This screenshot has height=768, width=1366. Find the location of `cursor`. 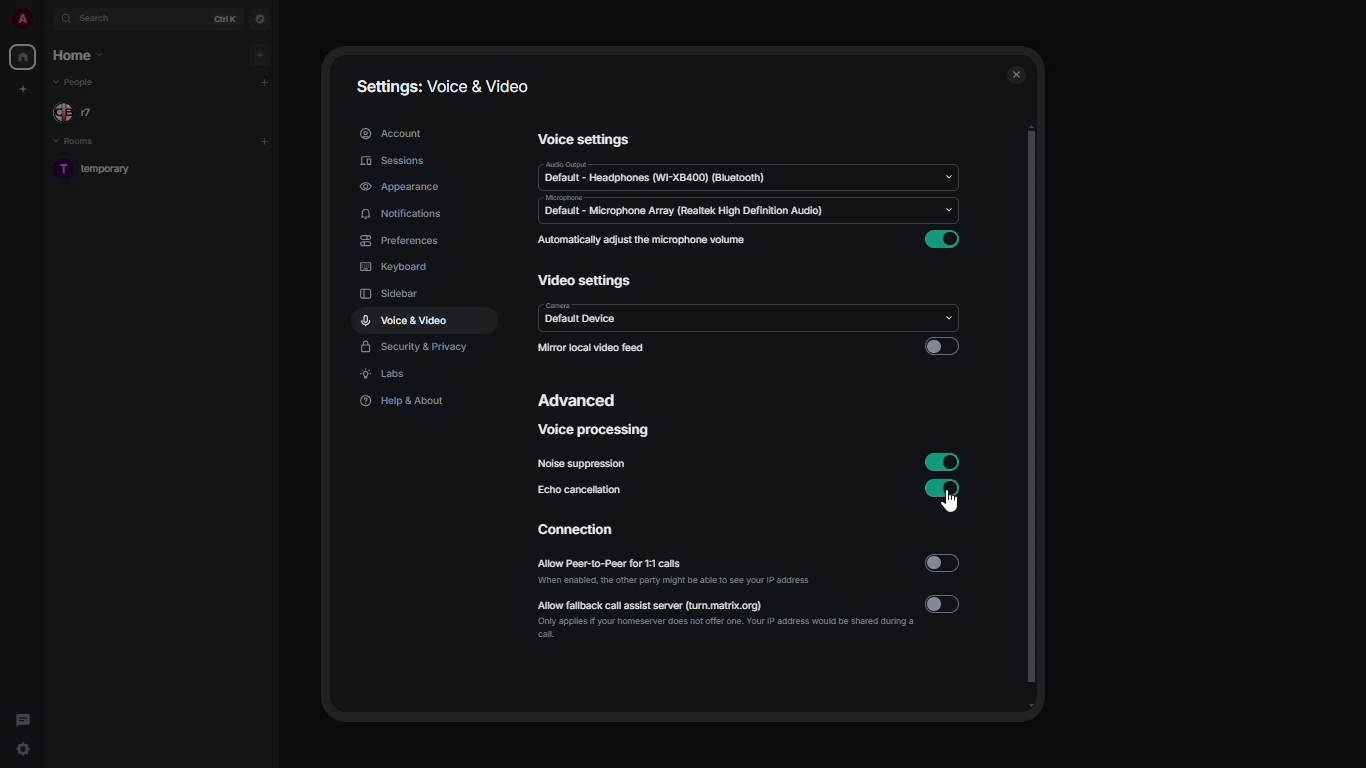

cursor is located at coordinates (953, 503).